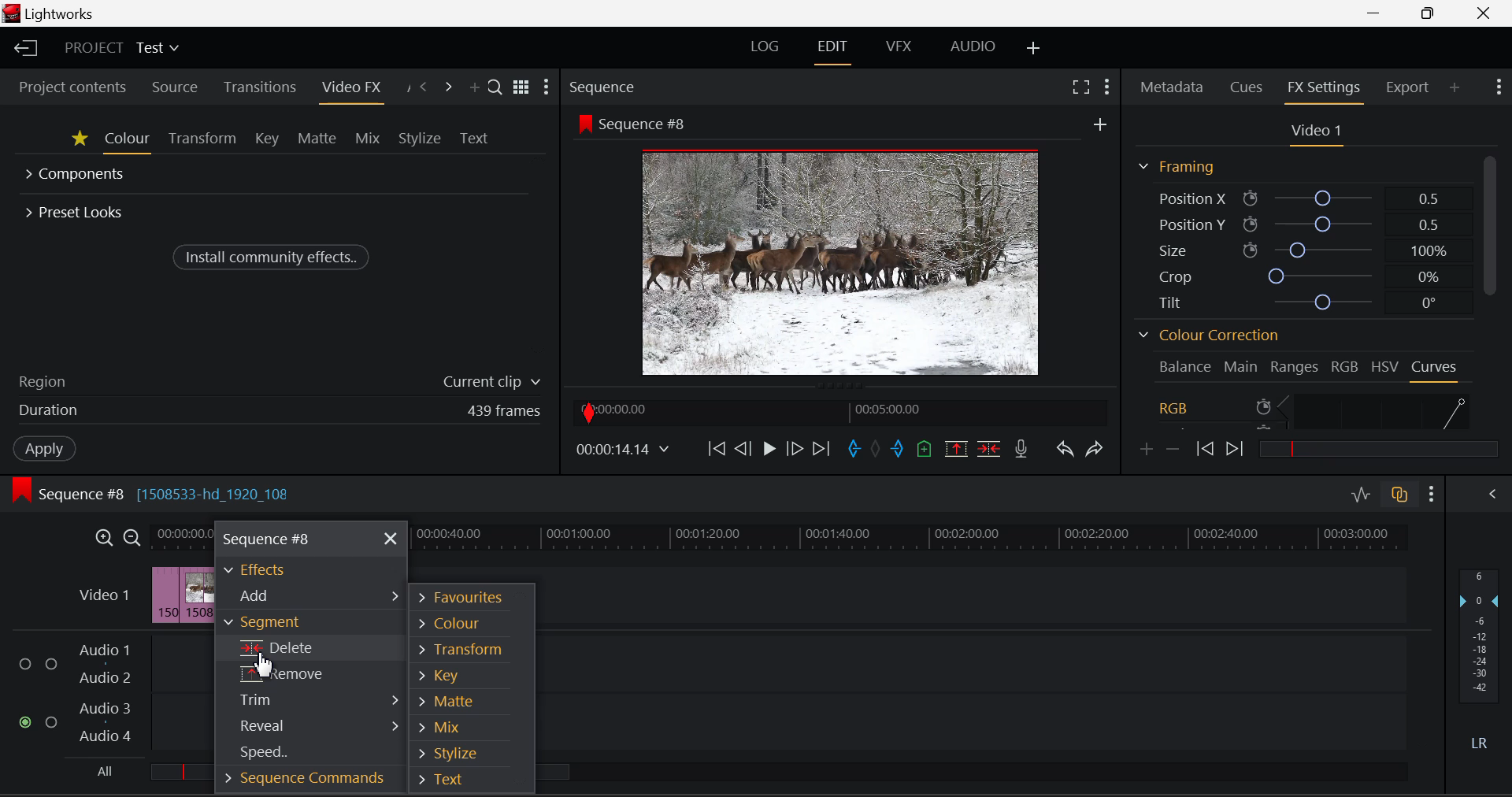  I want to click on Remove keyframe, so click(1173, 450).